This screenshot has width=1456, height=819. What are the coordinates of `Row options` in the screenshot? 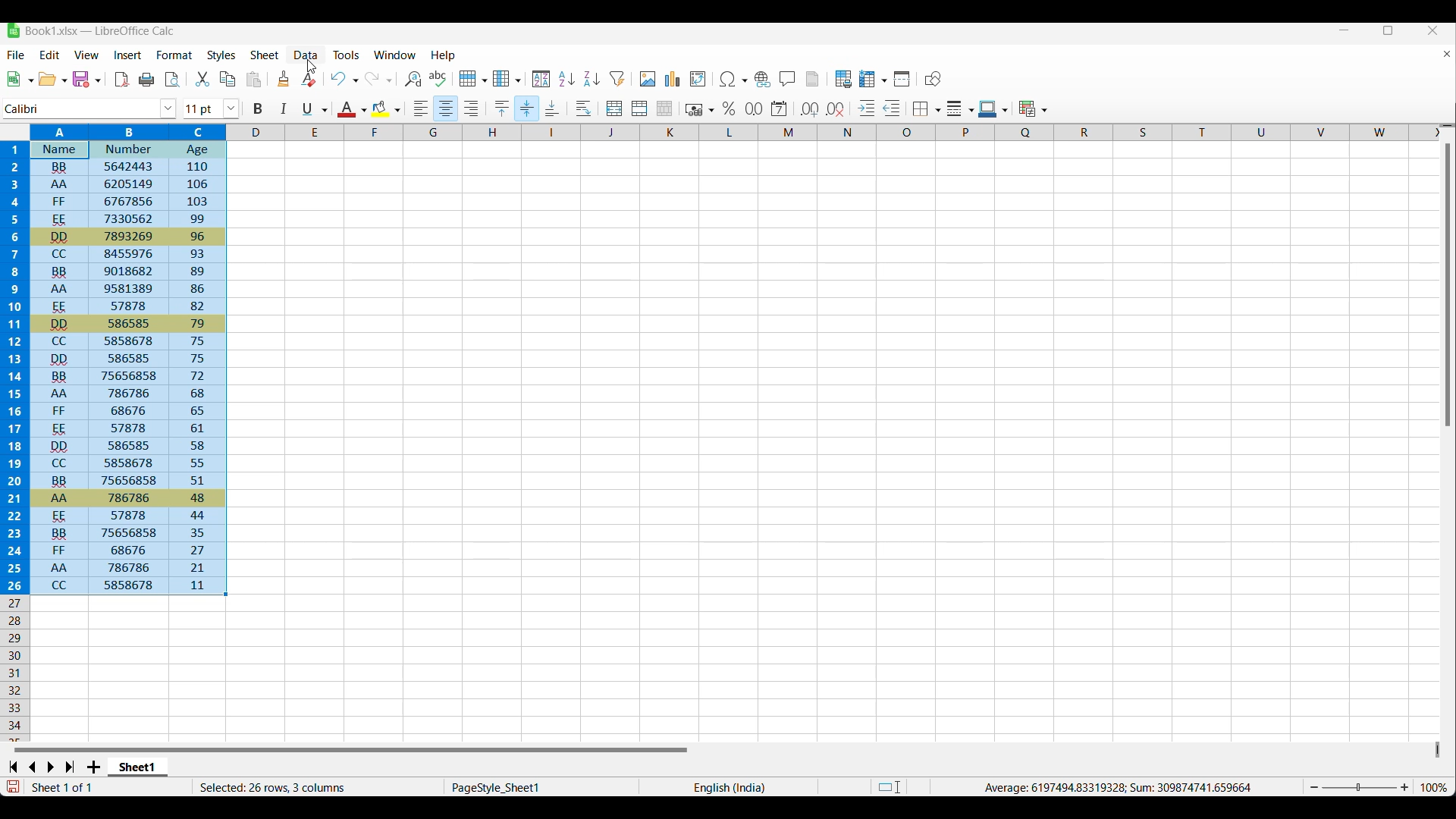 It's located at (472, 78).